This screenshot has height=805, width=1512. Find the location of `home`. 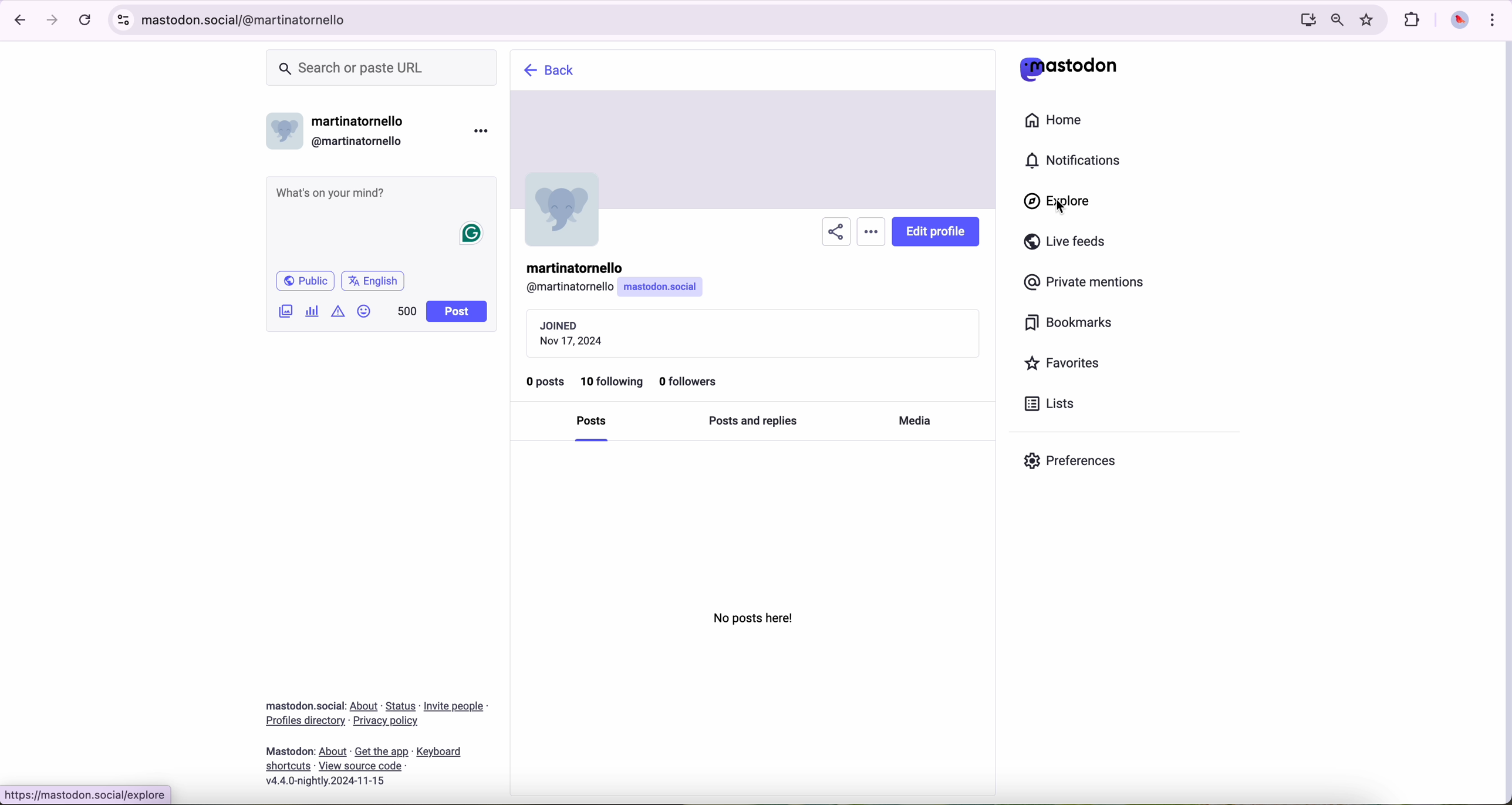

home is located at coordinates (1055, 119).